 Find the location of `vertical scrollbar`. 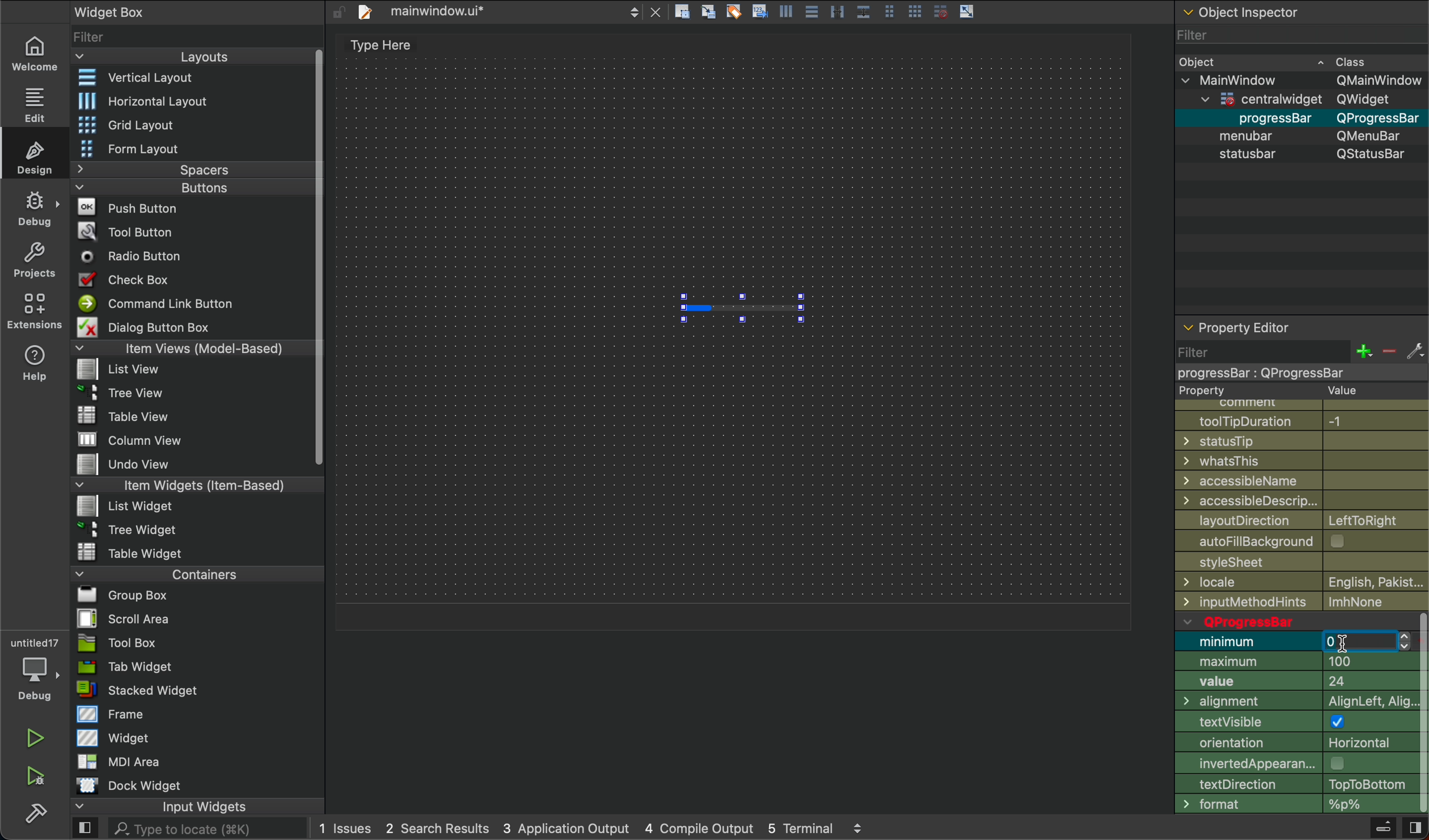

vertical scrollbar is located at coordinates (1420, 714).